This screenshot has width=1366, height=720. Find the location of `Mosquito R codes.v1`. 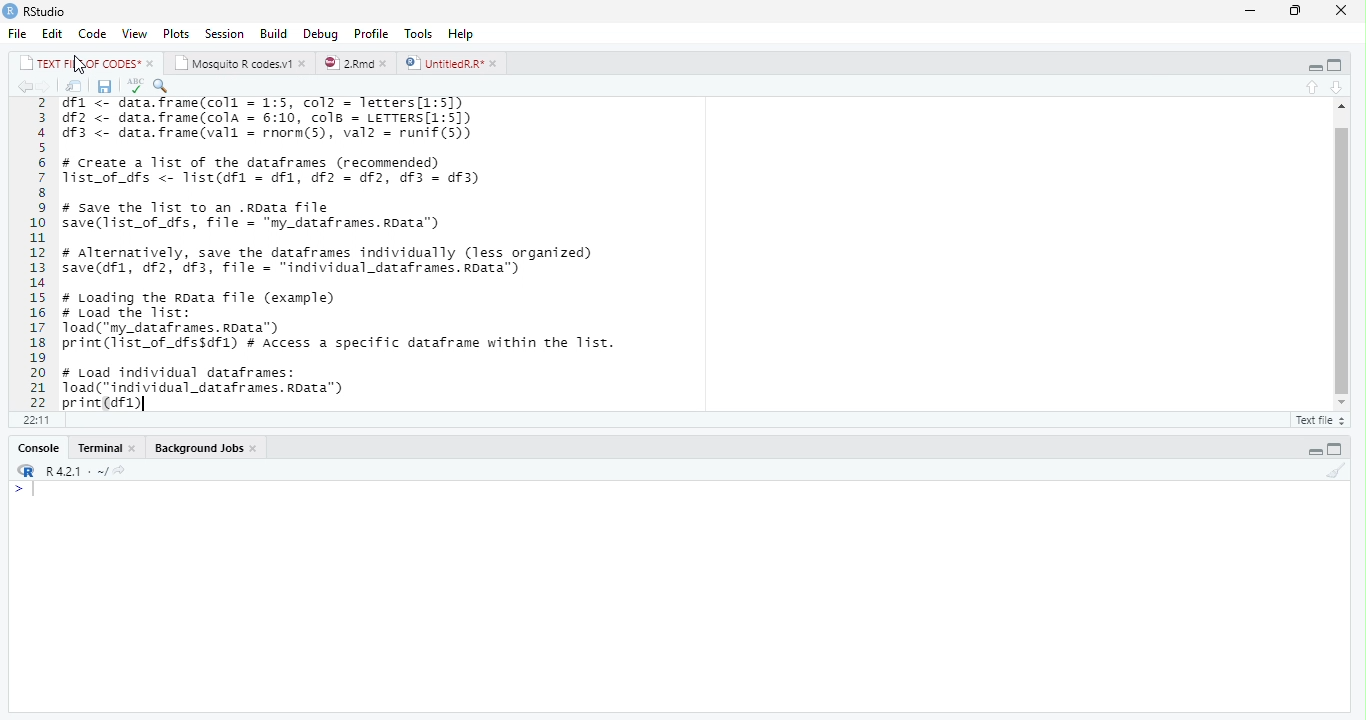

Mosquito R codes.v1 is located at coordinates (239, 62).